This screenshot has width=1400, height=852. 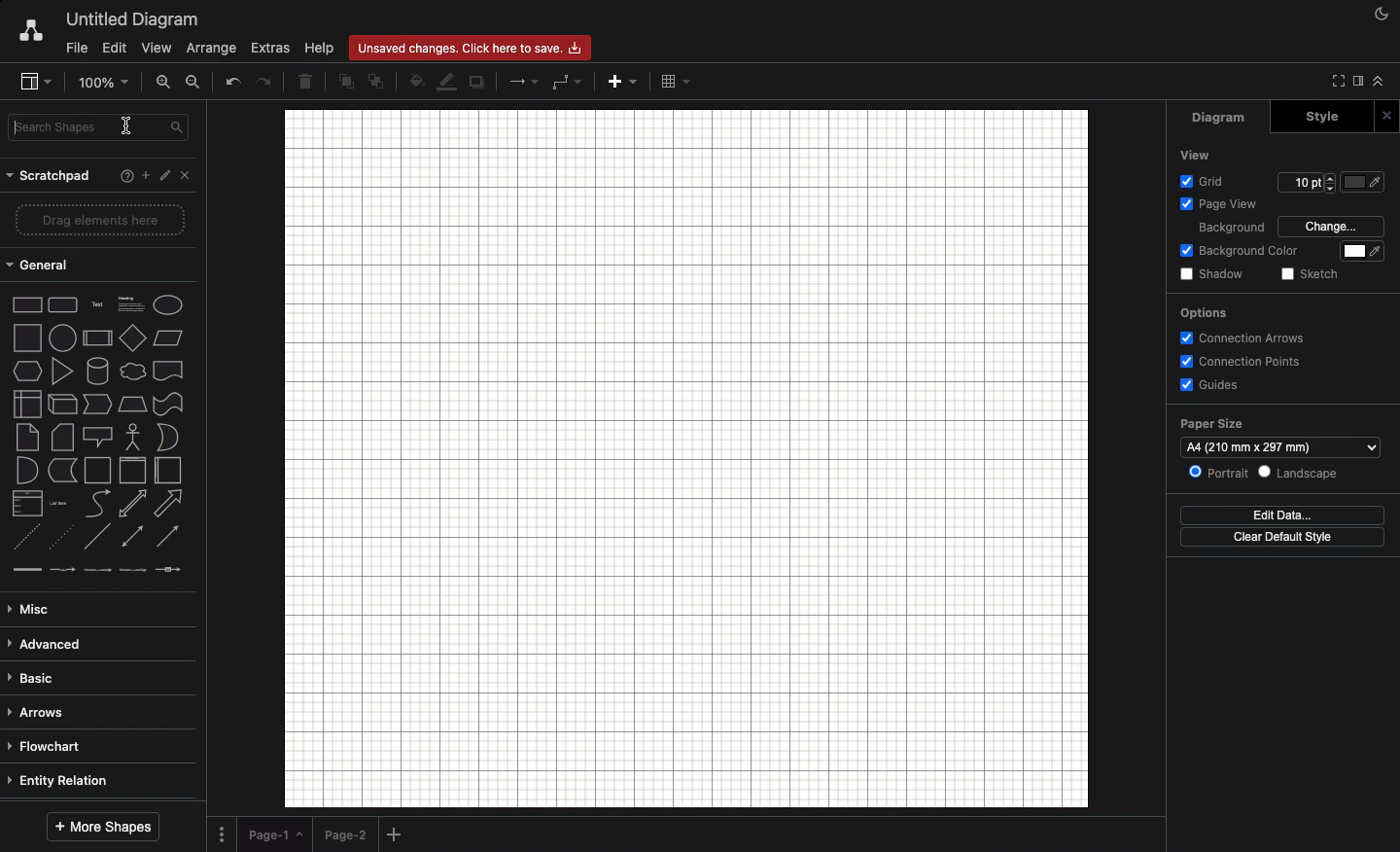 What do you see at coordinates (1263, 539) in the screenshot?
I see `Clear default style` at bounding box center [1263, 539].